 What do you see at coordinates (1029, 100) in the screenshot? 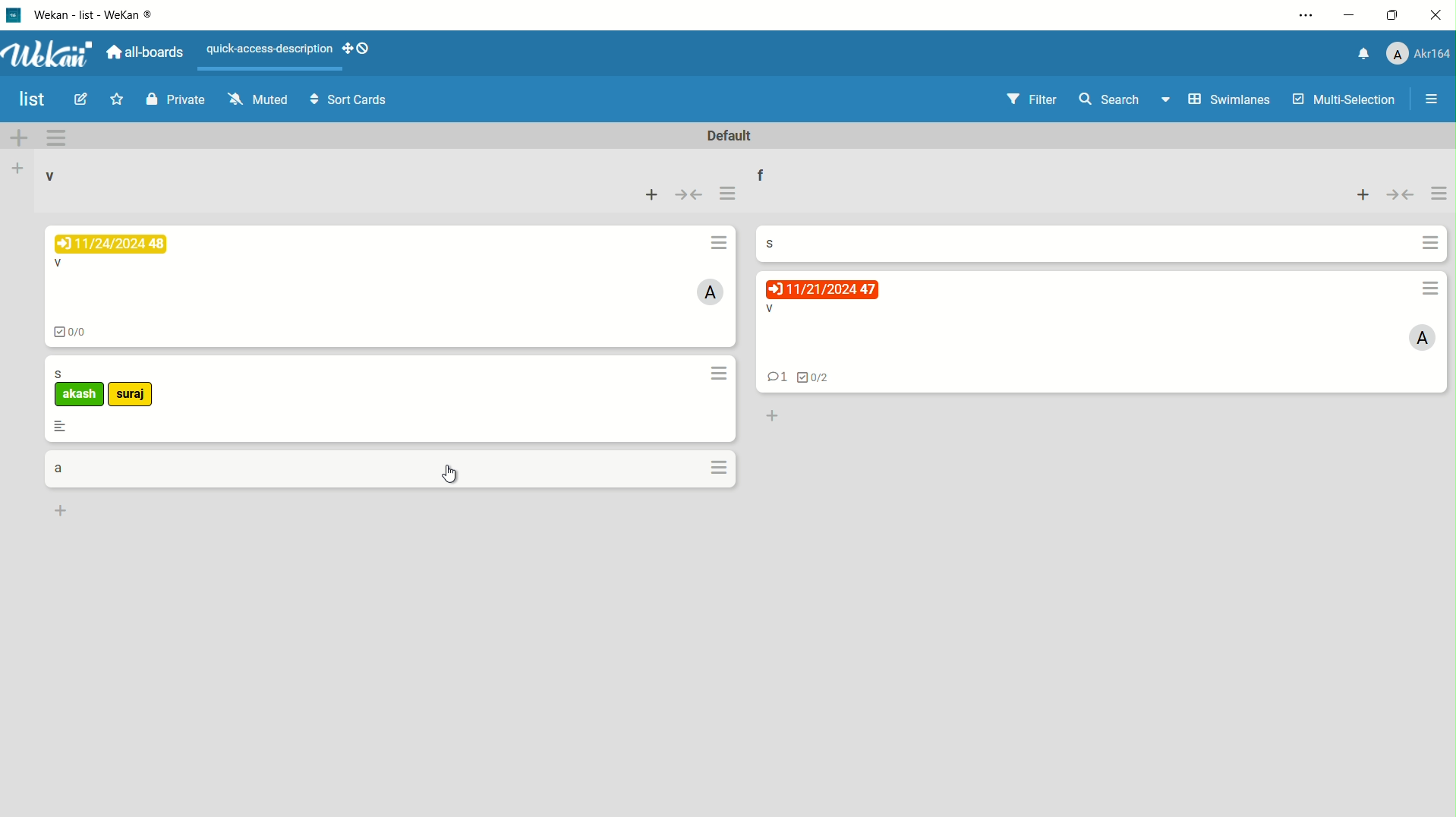
I see `filter` at bounding box center [1029, 100].